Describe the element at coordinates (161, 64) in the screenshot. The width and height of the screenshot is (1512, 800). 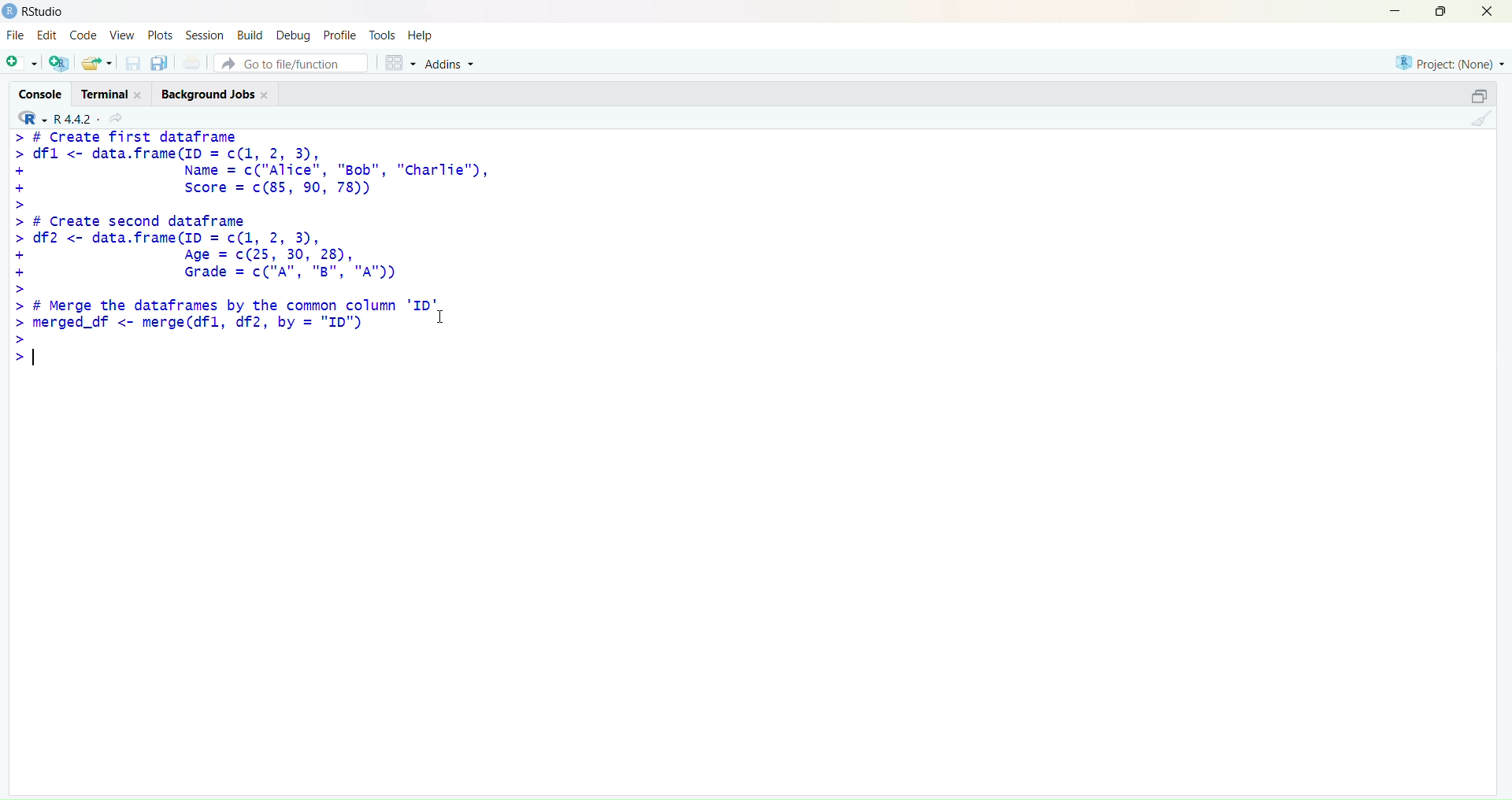
I see `save all open document` at that location.